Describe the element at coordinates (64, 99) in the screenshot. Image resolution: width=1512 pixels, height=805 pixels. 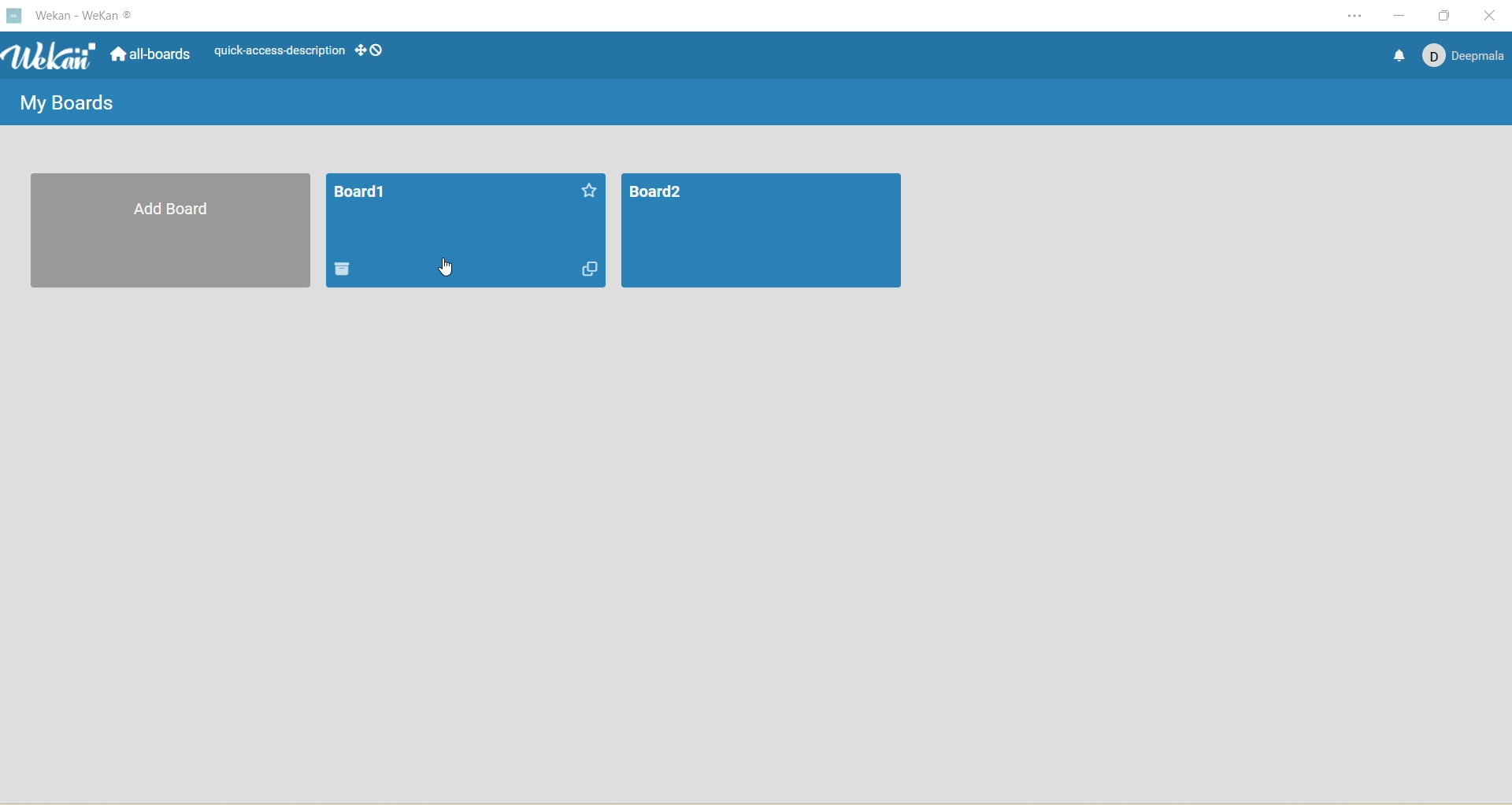
I see `my boards` at that location.